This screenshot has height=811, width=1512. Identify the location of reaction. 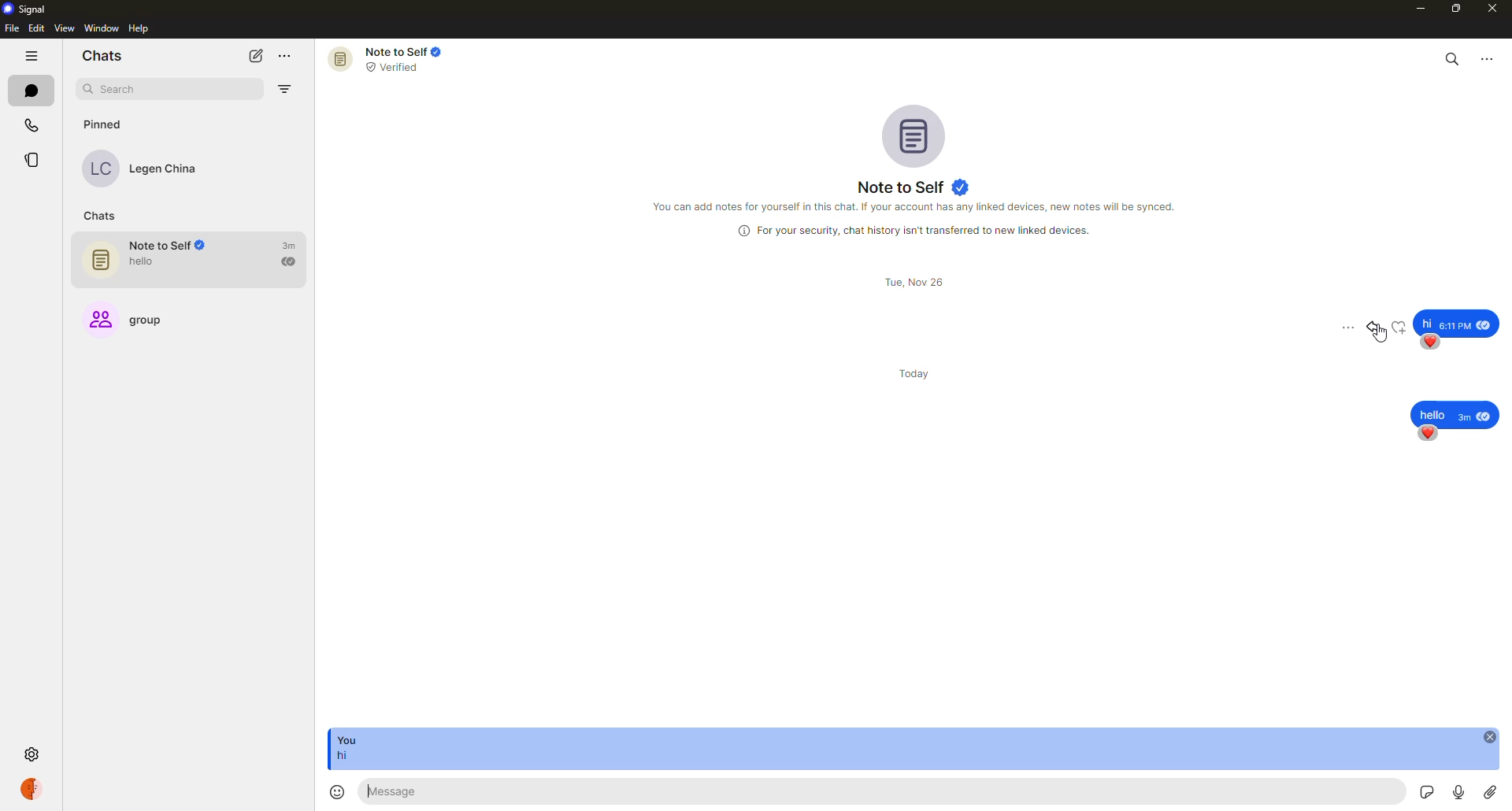
(1426, 434).